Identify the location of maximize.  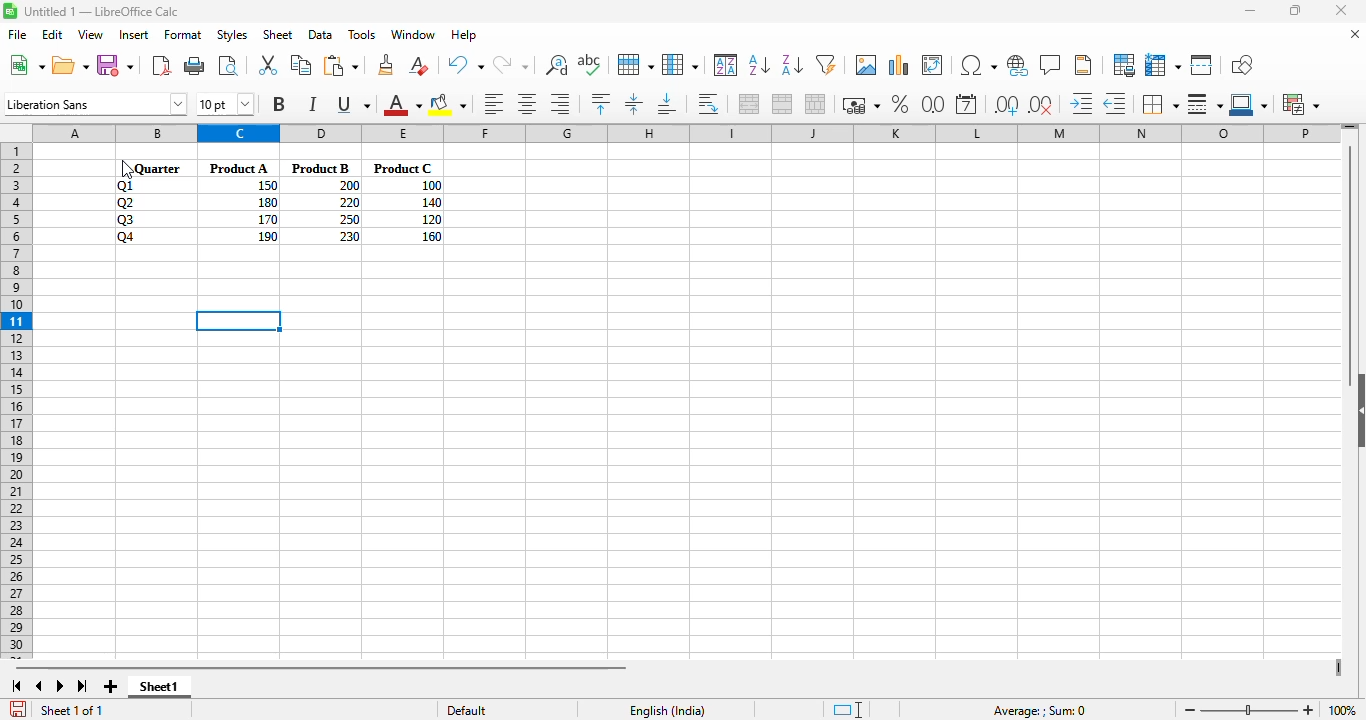
(1297, 11).